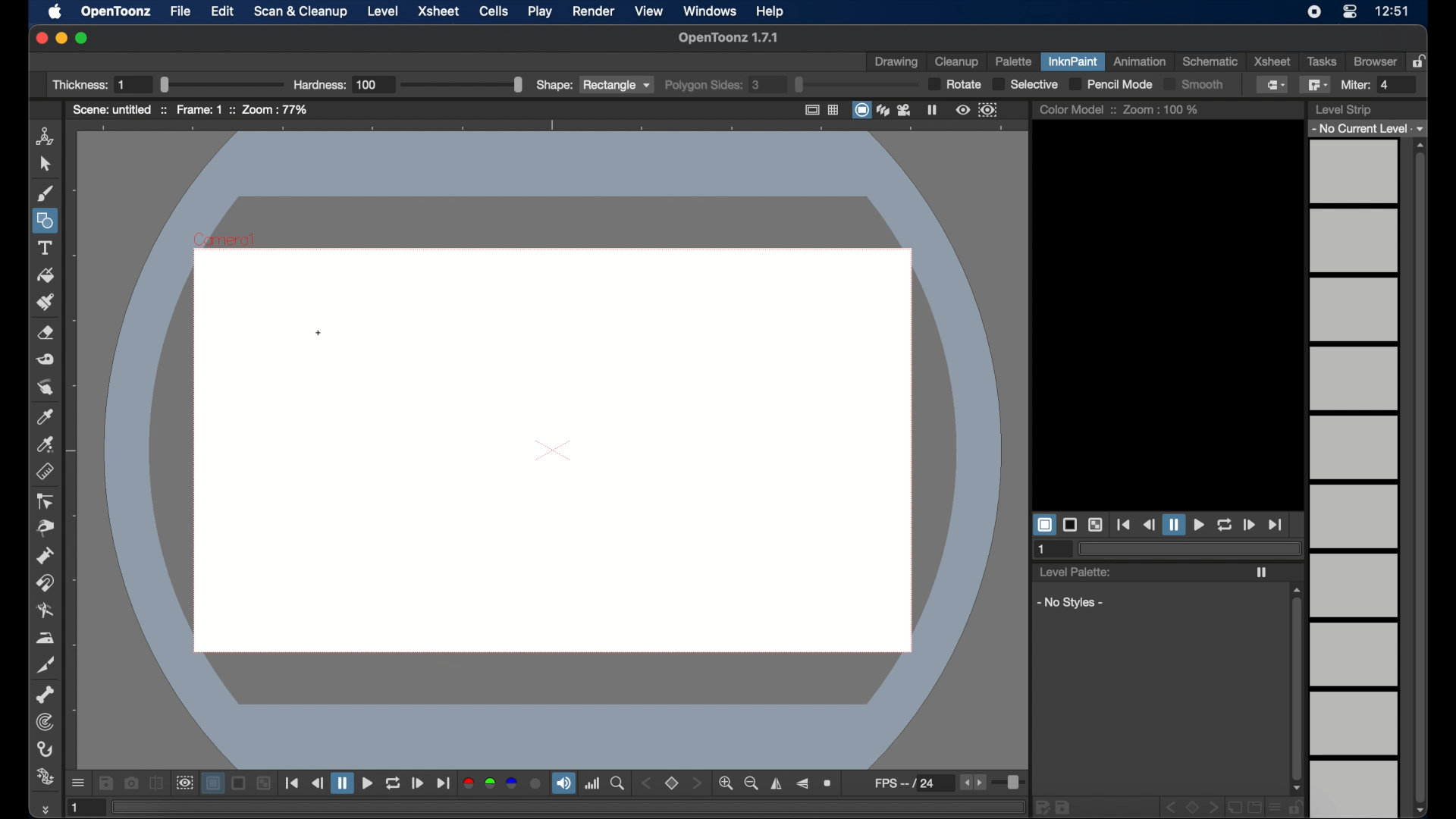  What do you see at coordinates (45, 722) in the screenshot?
I see `tracker tool` at bounding box center [45, 722].